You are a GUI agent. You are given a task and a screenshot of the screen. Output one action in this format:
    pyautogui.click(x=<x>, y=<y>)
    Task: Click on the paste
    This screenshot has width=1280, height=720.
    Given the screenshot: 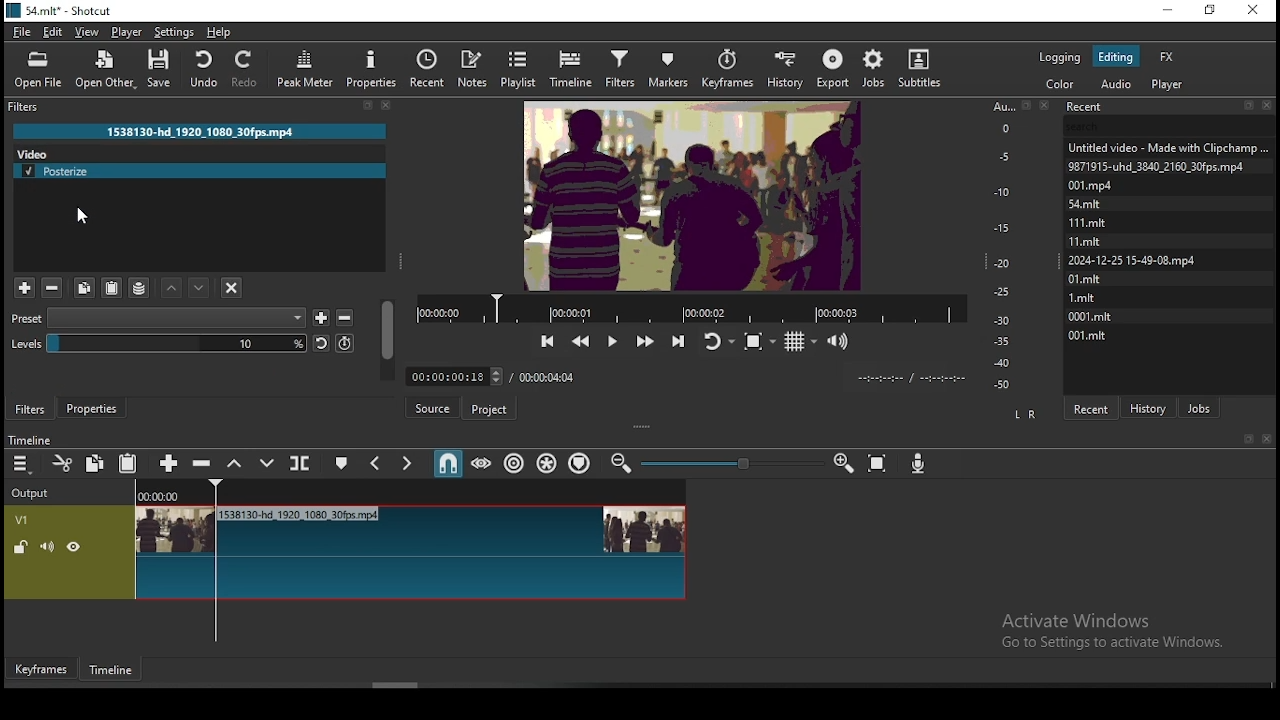 What is the action you would take?
    pyautogui.click(x=130, y=464)
    